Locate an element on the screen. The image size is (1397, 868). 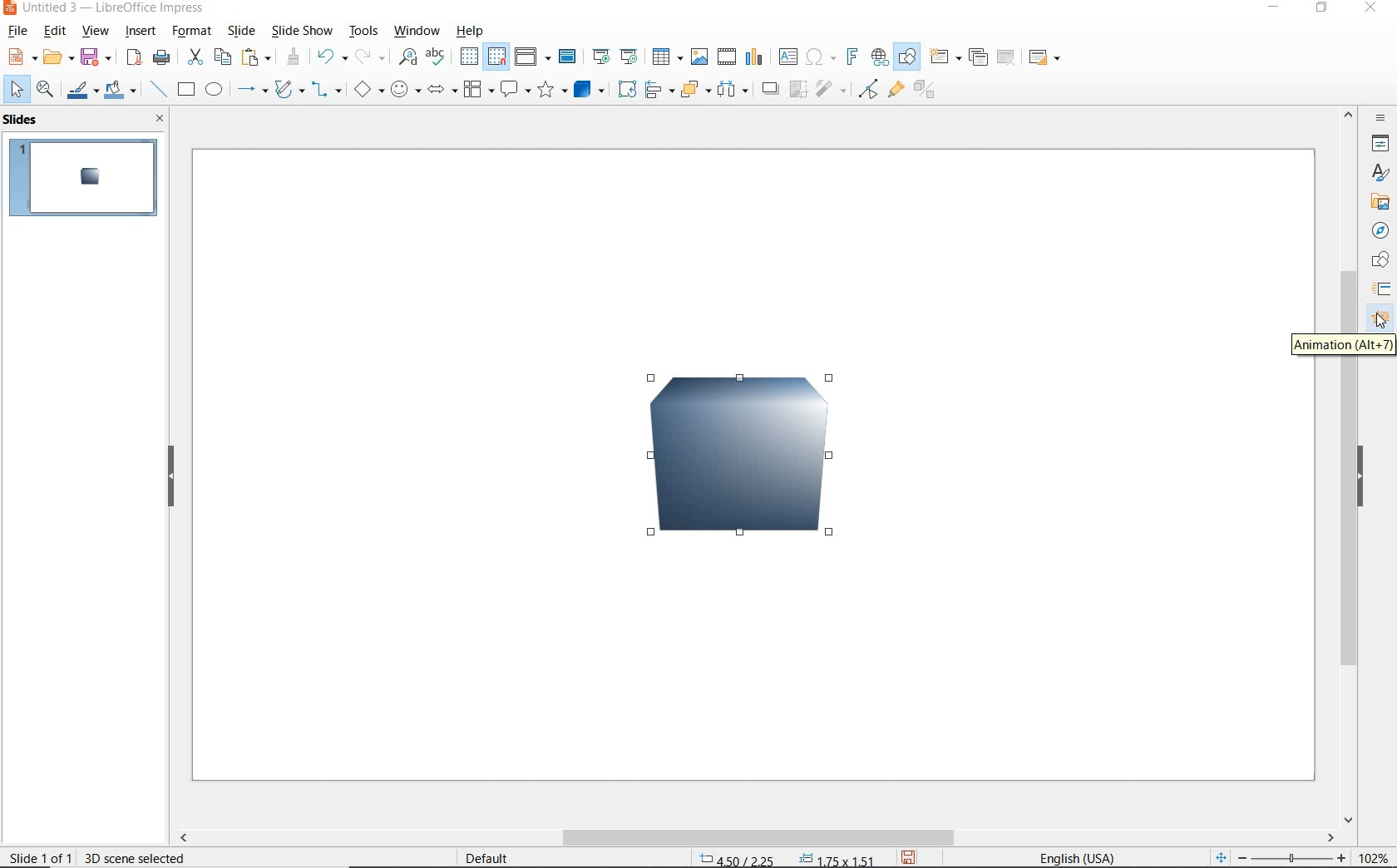
arrange is located at coordinates (695, 89).